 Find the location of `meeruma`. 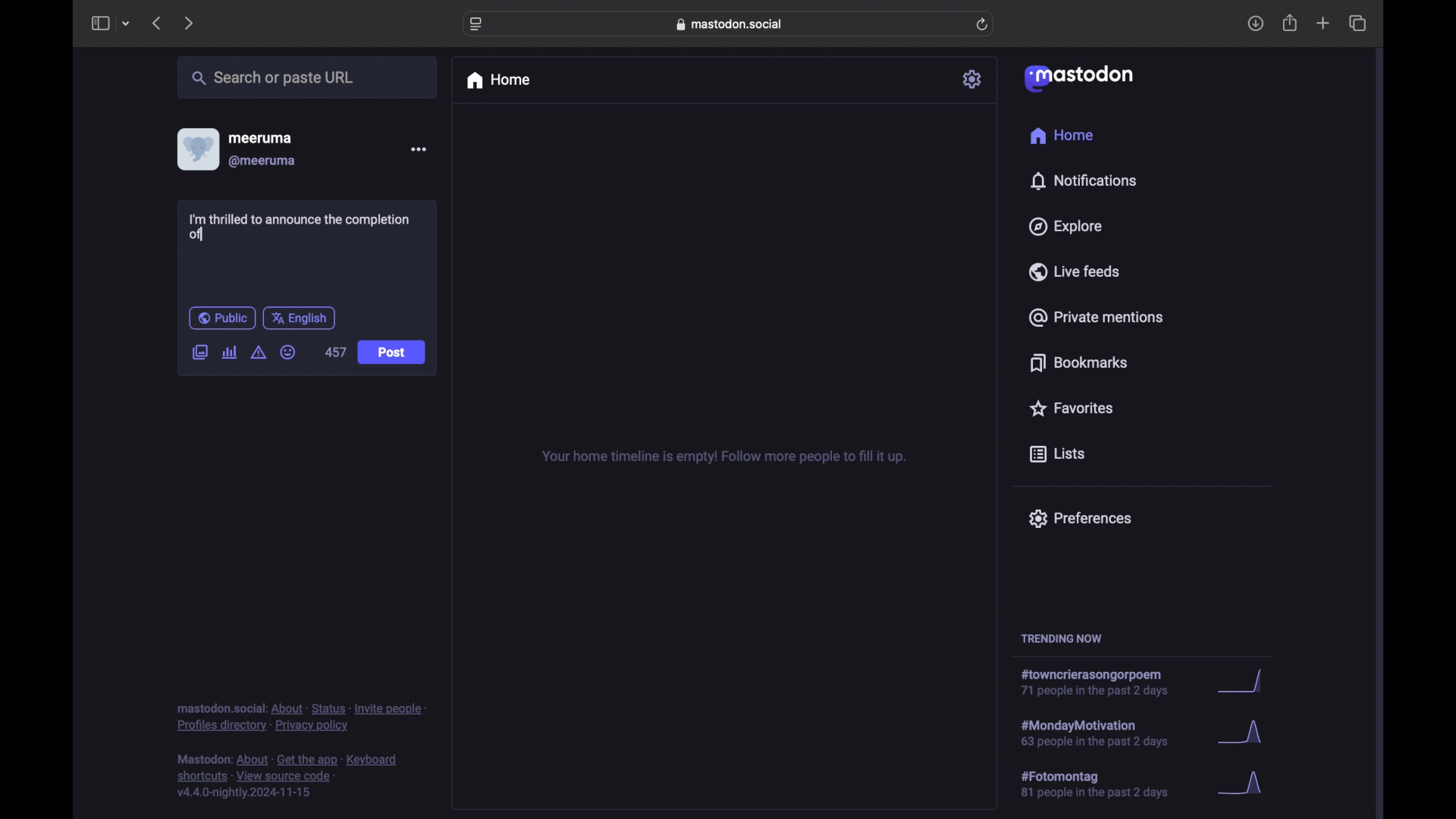

meeruma is located at coordinates (260, 138).